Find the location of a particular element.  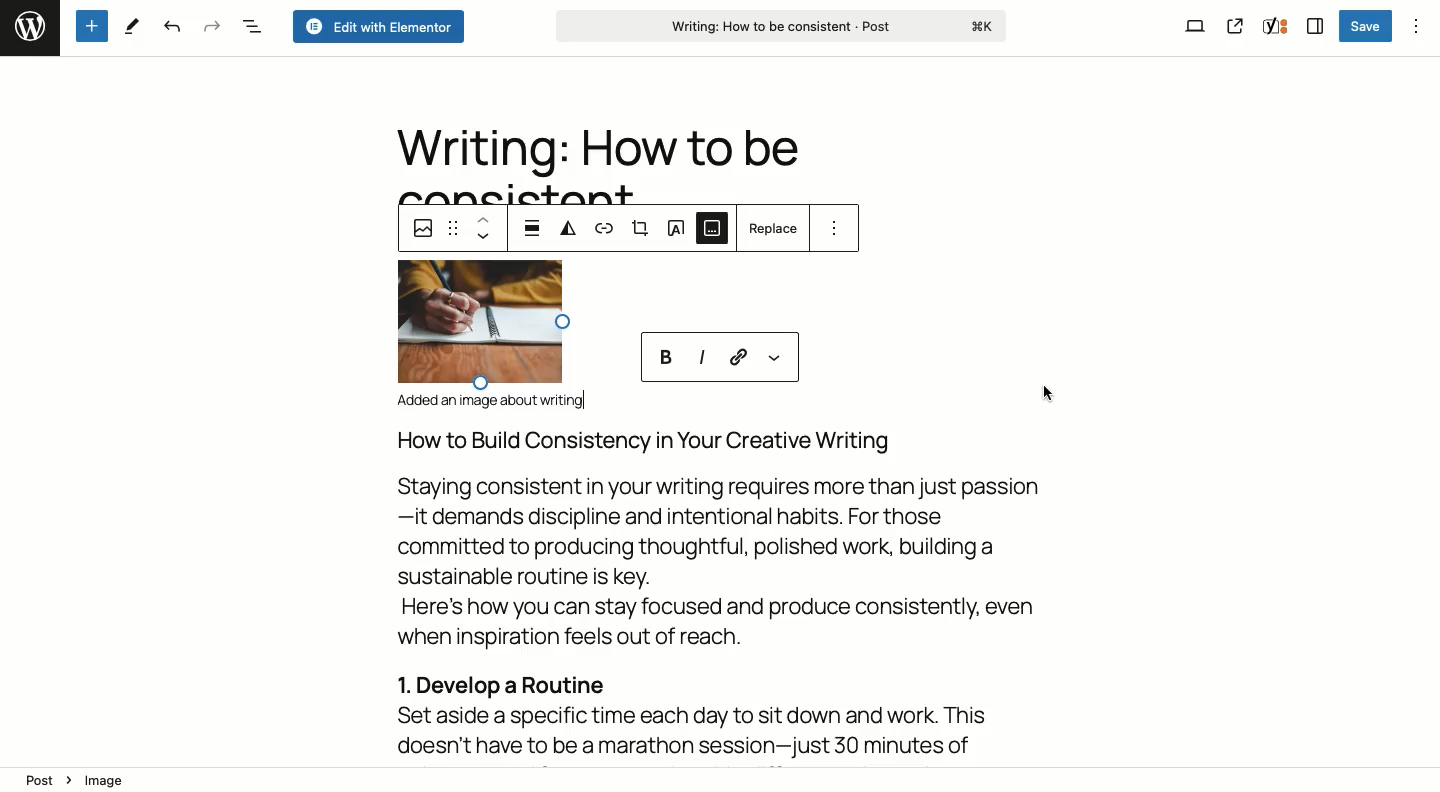

Link is located at coordinates (608, 232).